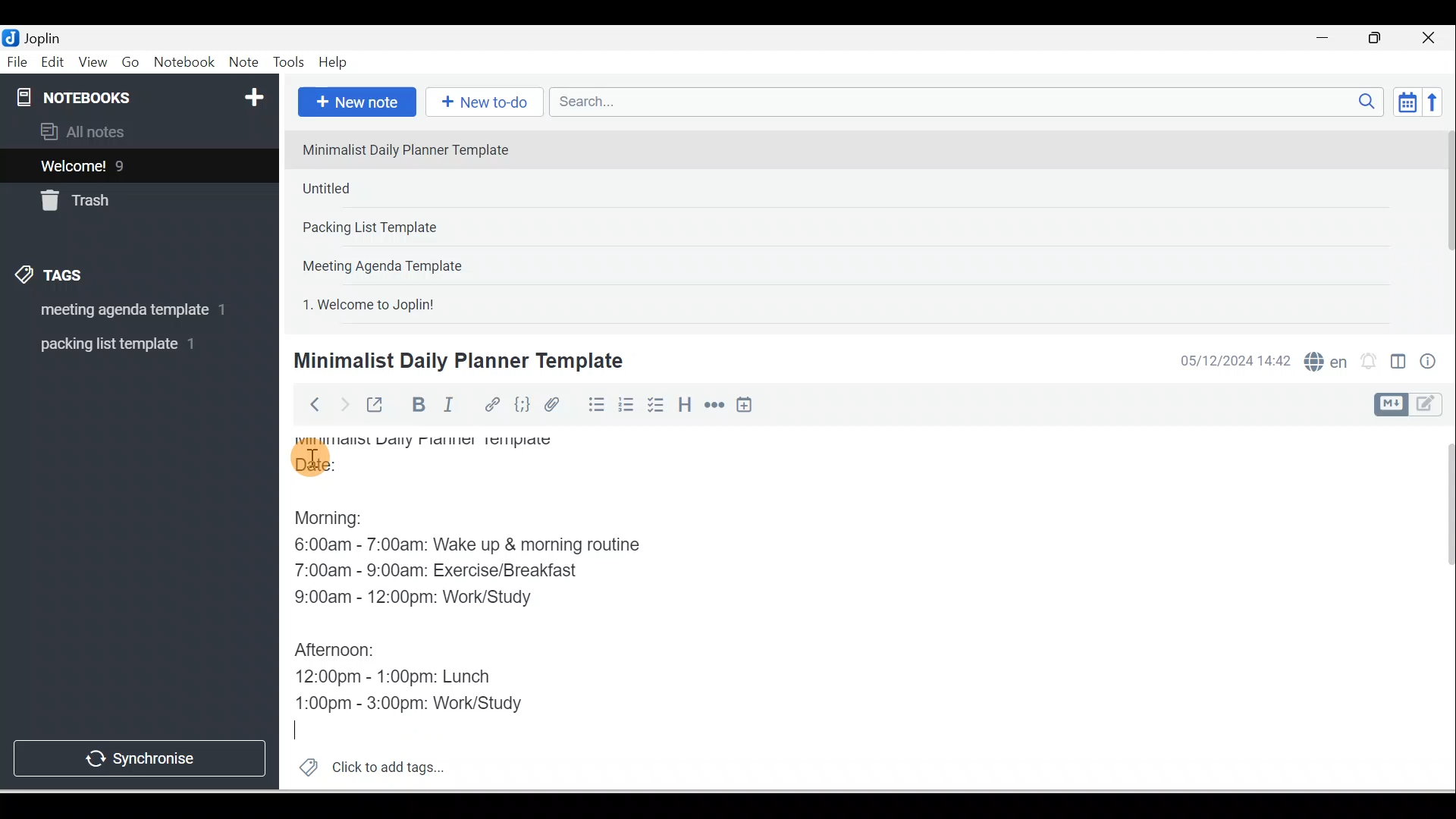 The width and height of the screenshot is (1456, 819). What do you see at coordinates (128, 344) in the screenshot?
I see `Tag 2` at bounding box center [128, 344].